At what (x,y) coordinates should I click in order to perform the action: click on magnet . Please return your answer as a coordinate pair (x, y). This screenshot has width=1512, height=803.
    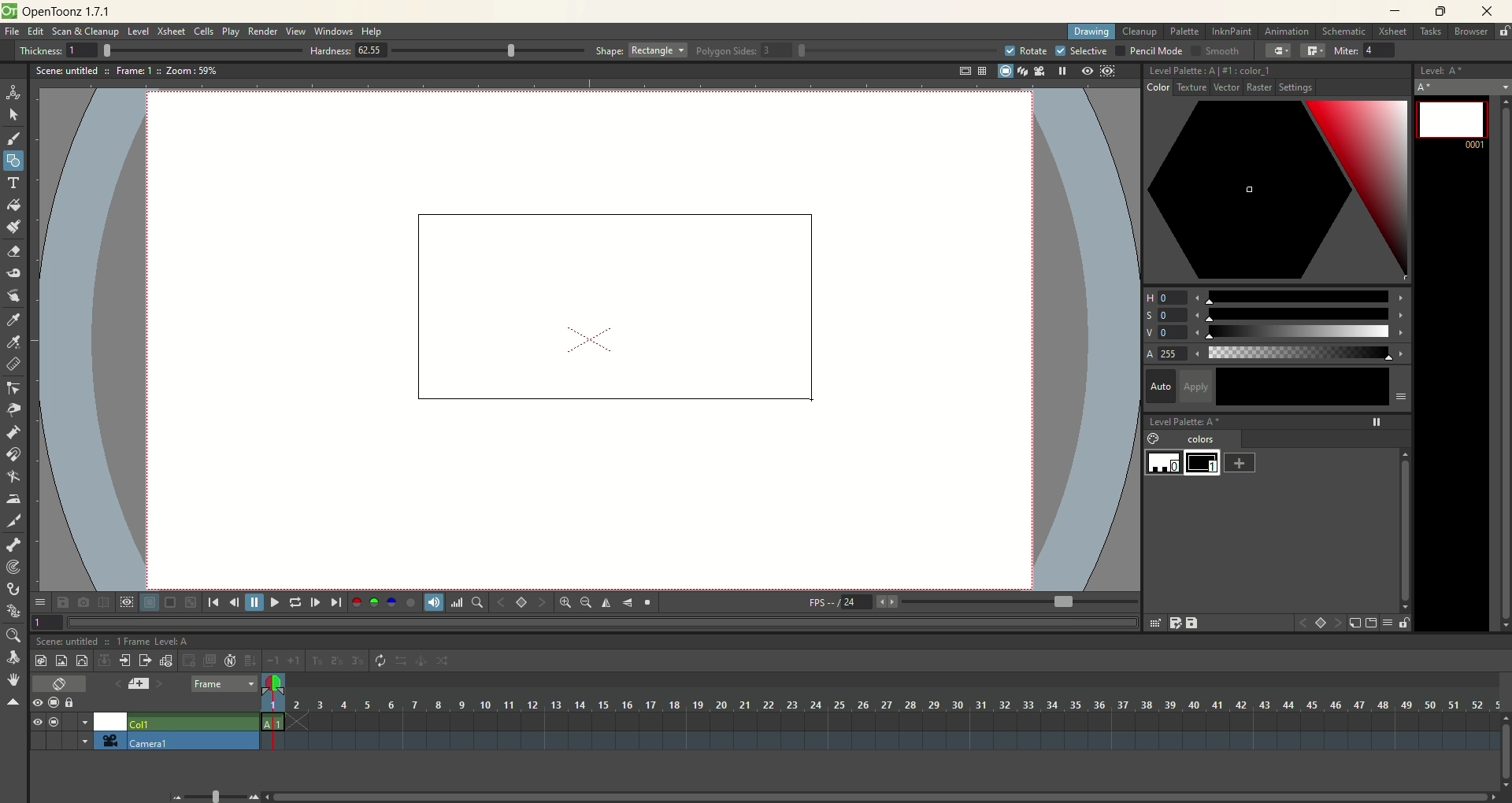
    Looking at the image, I should click on (14, 453).